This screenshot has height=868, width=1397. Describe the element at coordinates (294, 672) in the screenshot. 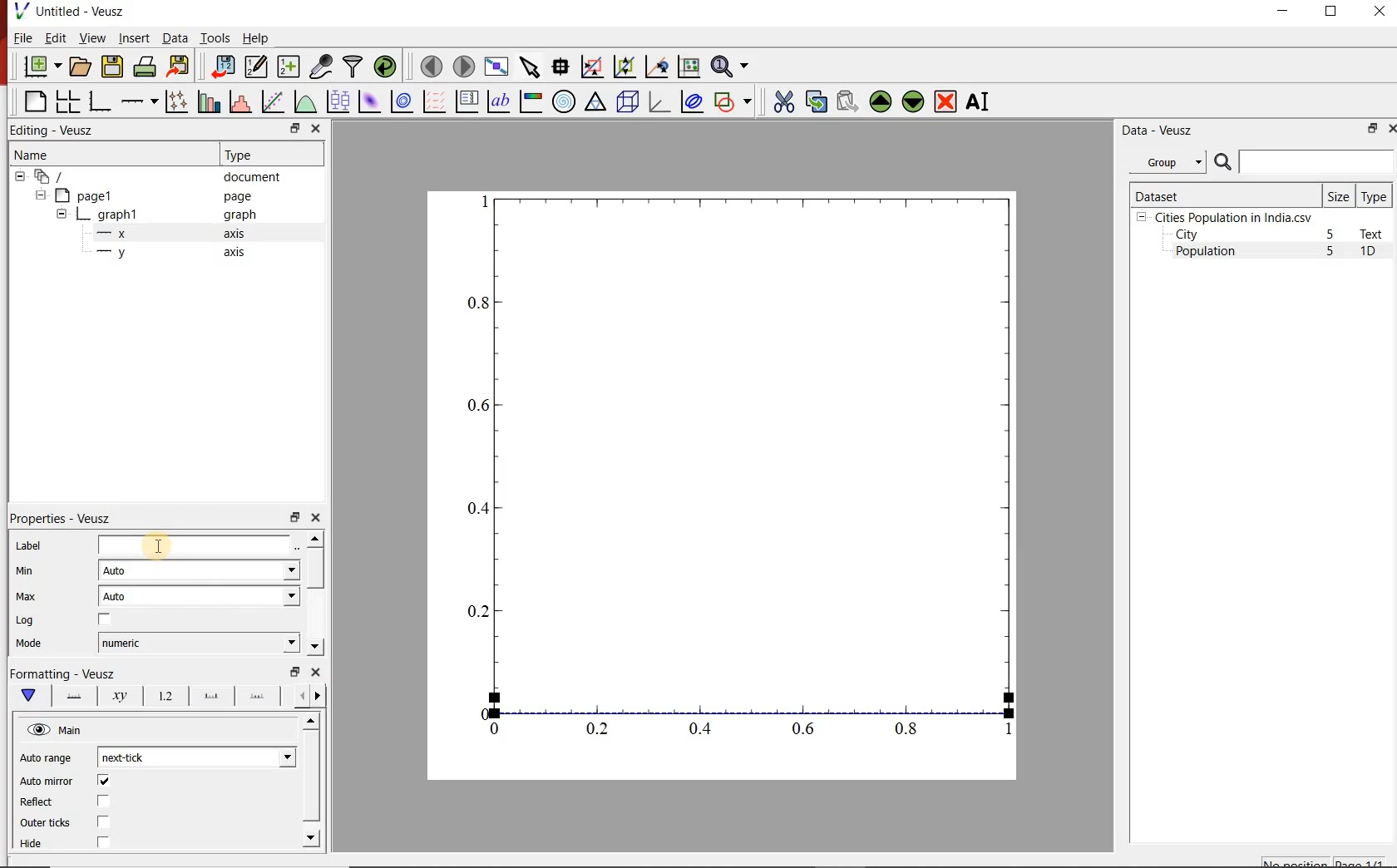

I see `restore` at that location.